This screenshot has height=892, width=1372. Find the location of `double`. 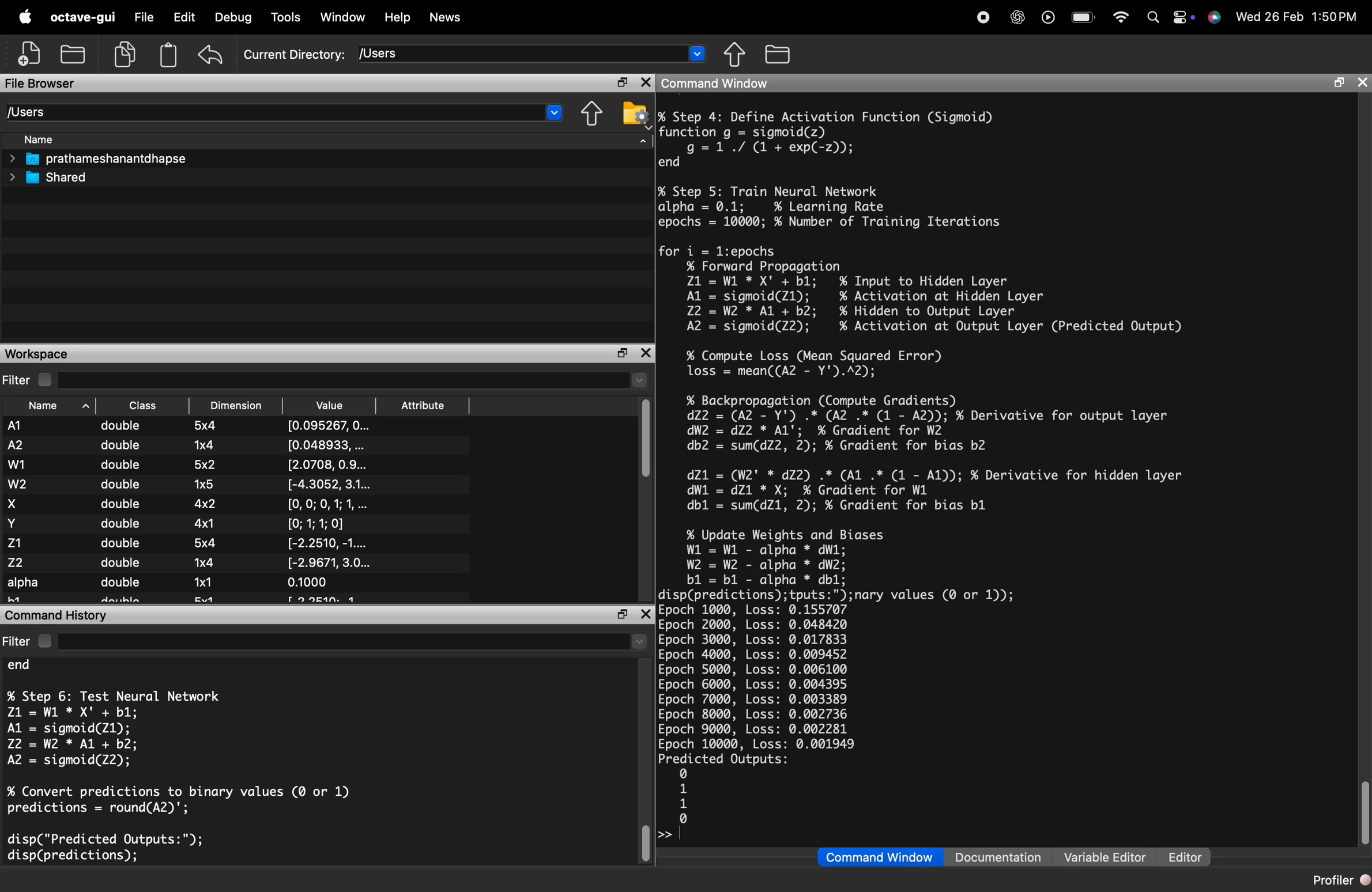

double is located at coordinates (120, 565).